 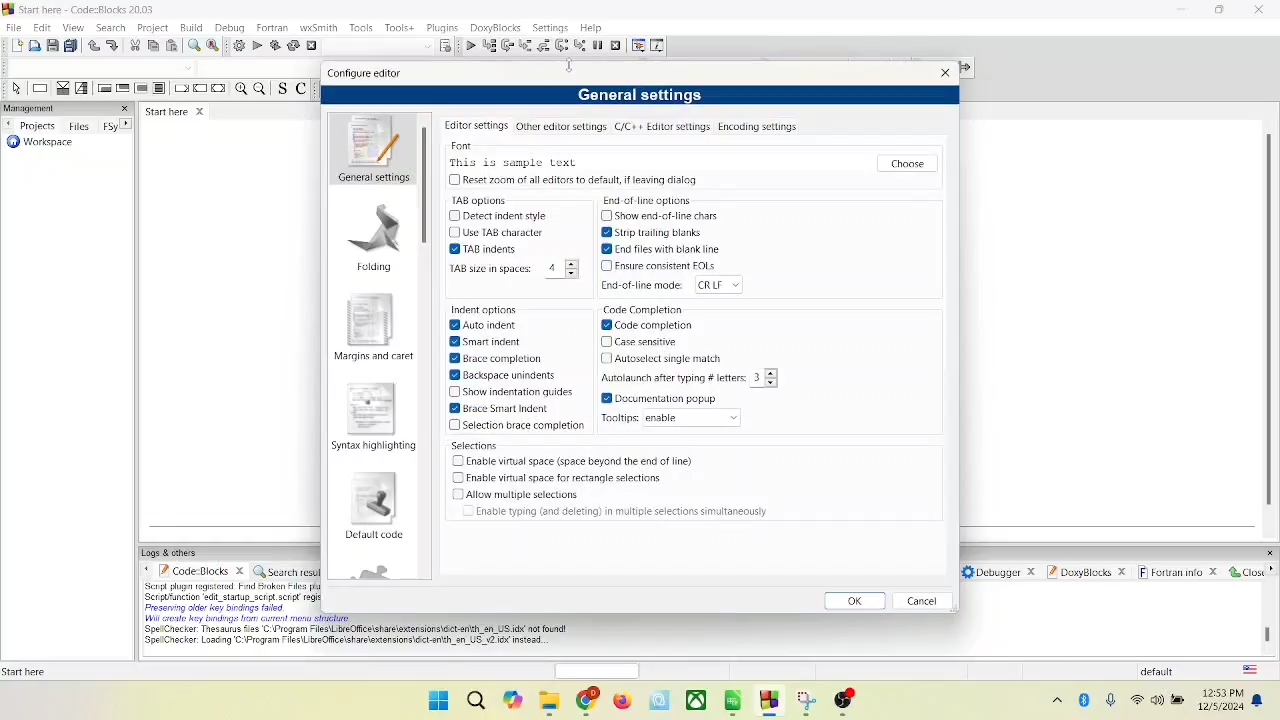 I want to click on end of line, so click(x=679, y=284).